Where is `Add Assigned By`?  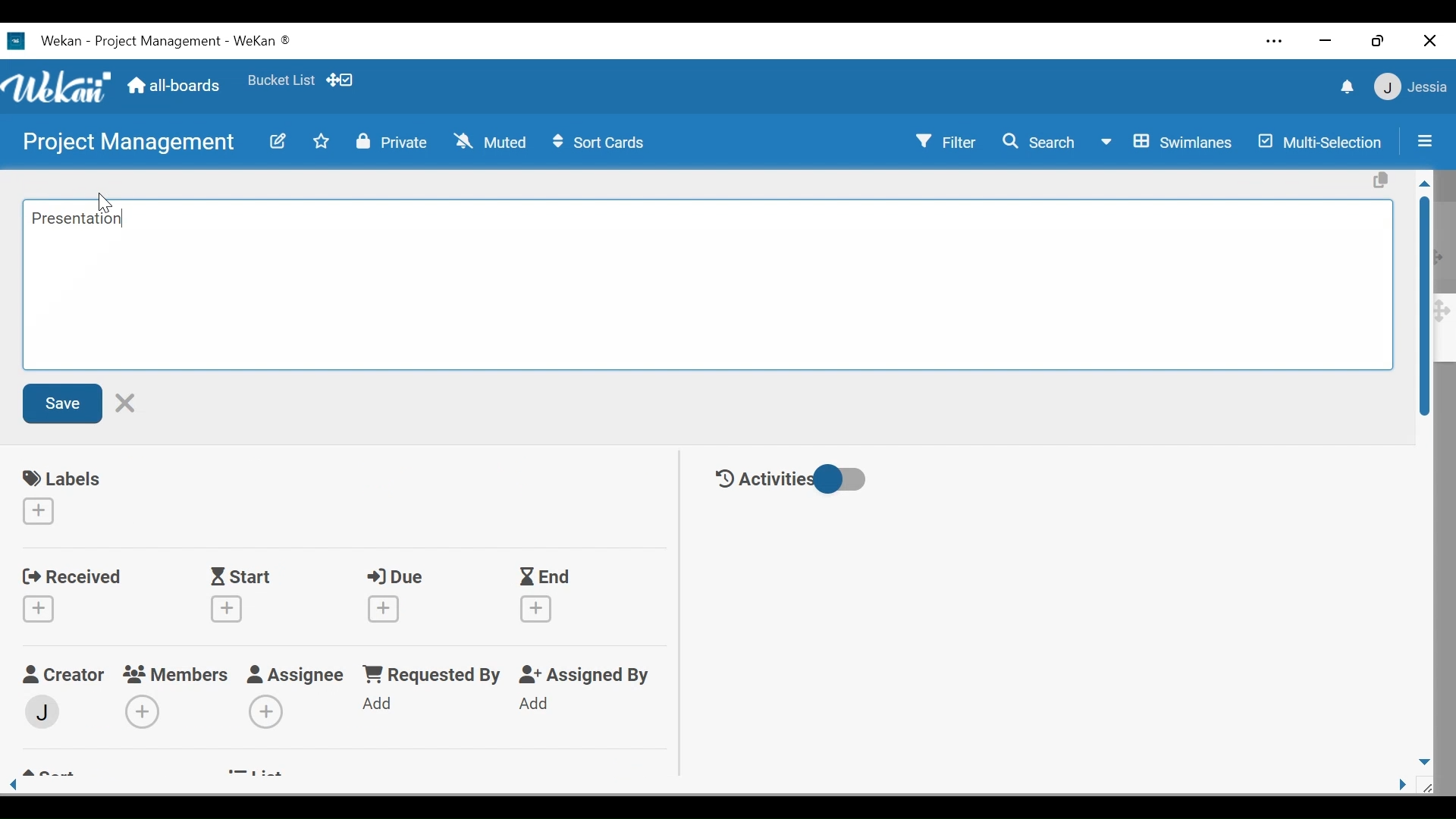 Add Assigned By is located at coordinates (535, 704).